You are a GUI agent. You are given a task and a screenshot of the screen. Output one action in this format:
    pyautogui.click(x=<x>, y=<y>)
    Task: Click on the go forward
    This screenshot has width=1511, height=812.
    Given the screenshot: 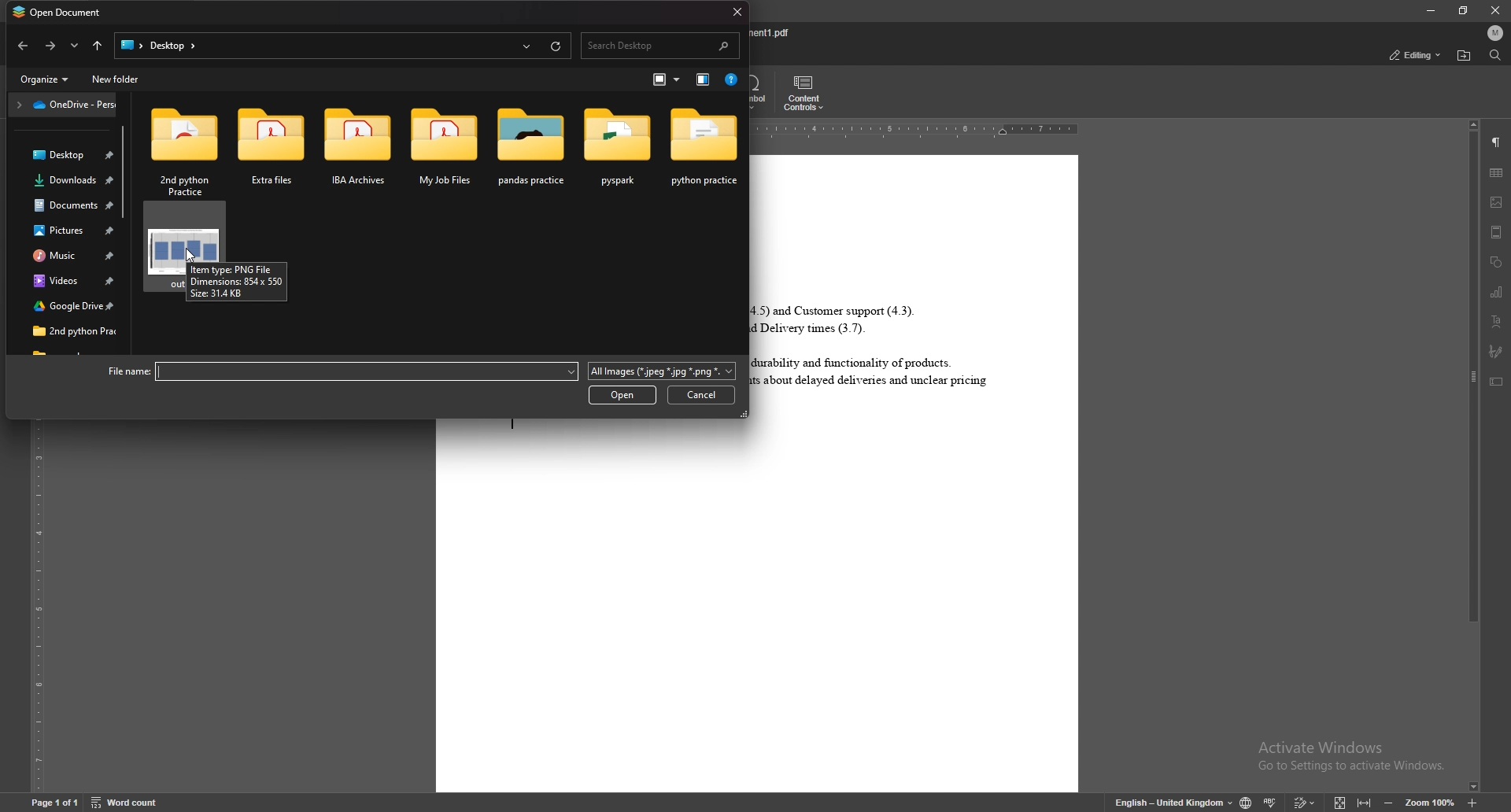 What is the action you would take?
    pyautogui.click(x=24, y=46)
    